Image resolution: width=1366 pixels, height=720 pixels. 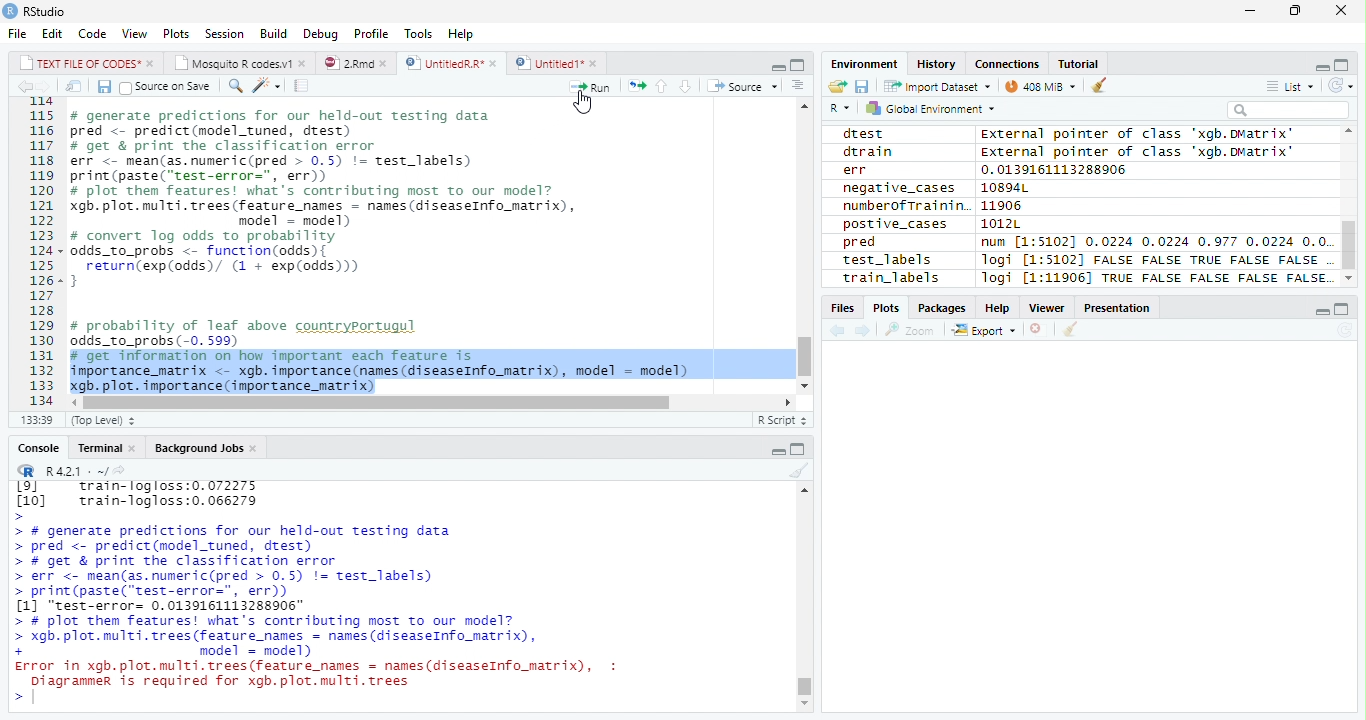 I want to click on logi [1:5102] FALSE FALSE TRUE FALSE FALSE, so click(x=1155, y=259).